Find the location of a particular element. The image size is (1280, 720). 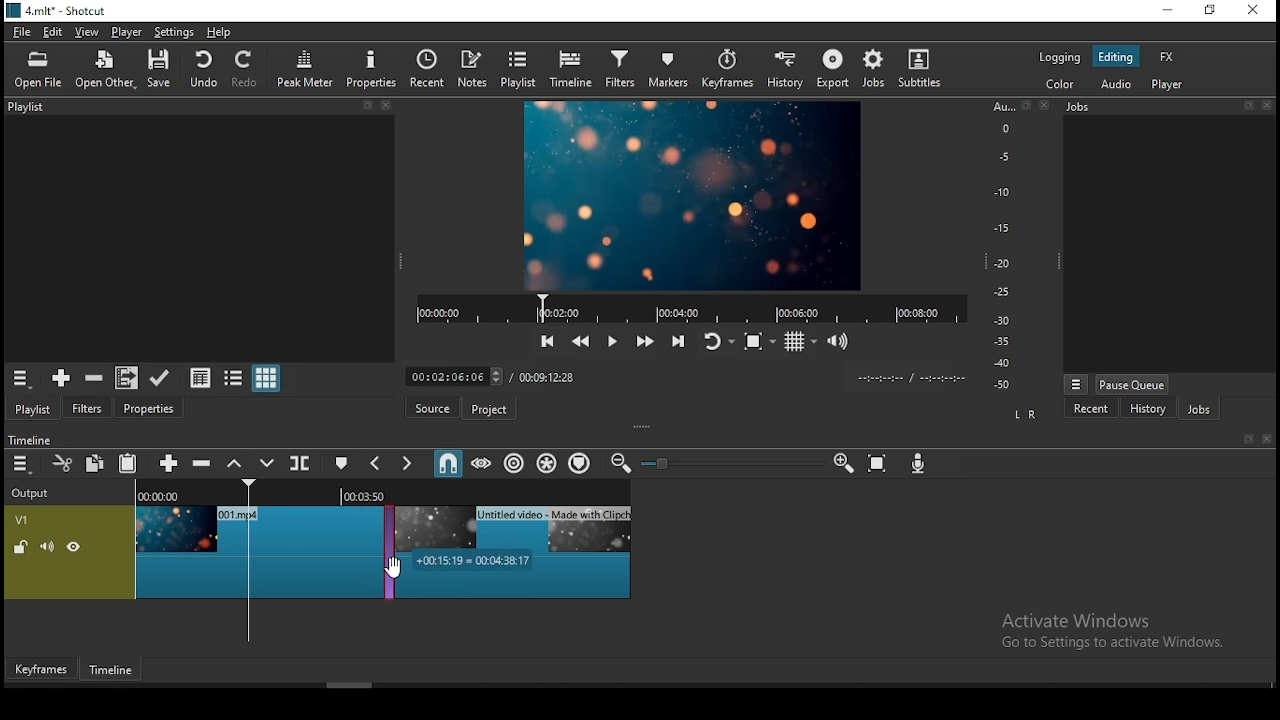

logging is located at coordinates (1059, 58).